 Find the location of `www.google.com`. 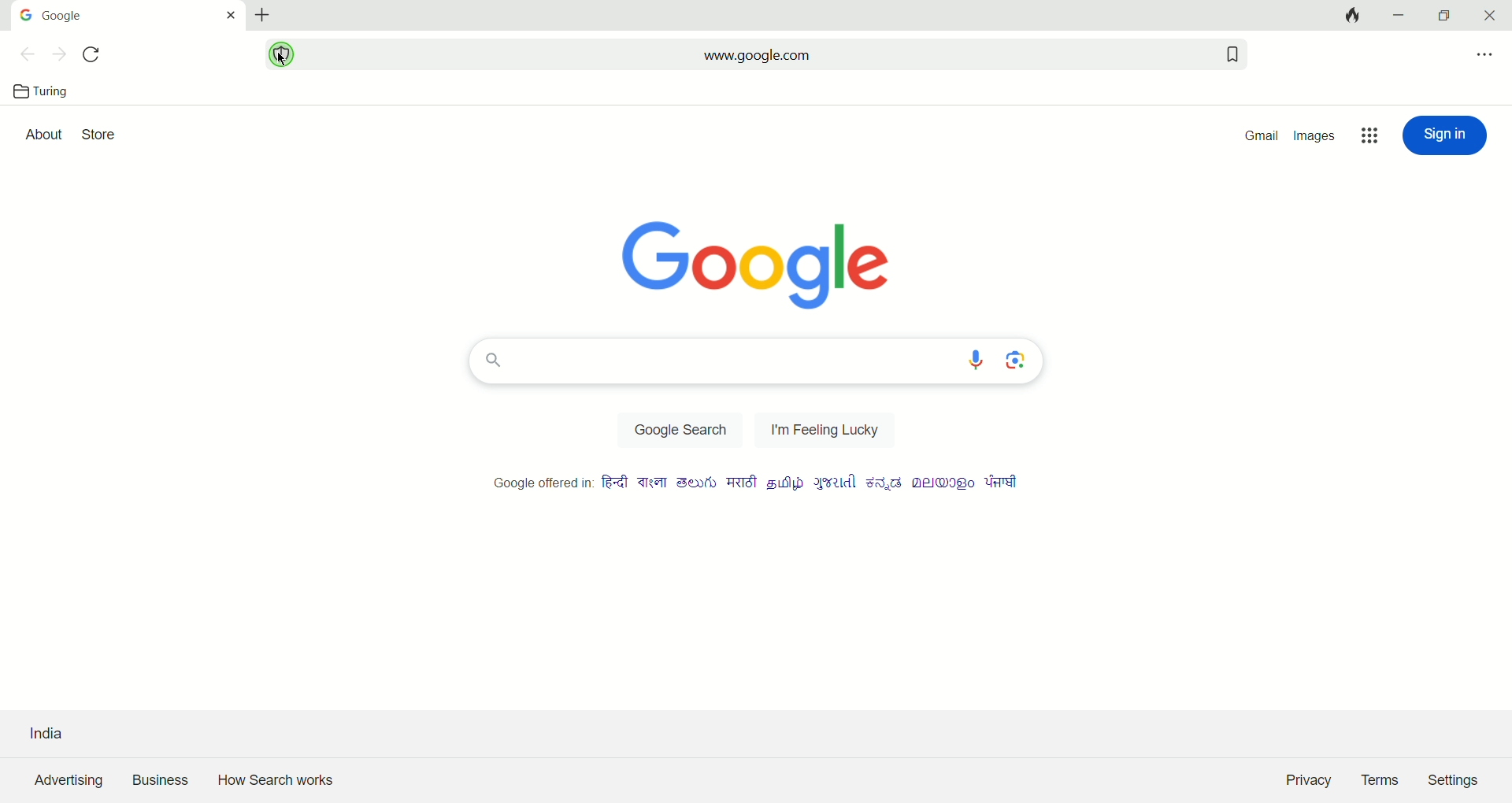

www.google.com is located at coordinates (755, 55).